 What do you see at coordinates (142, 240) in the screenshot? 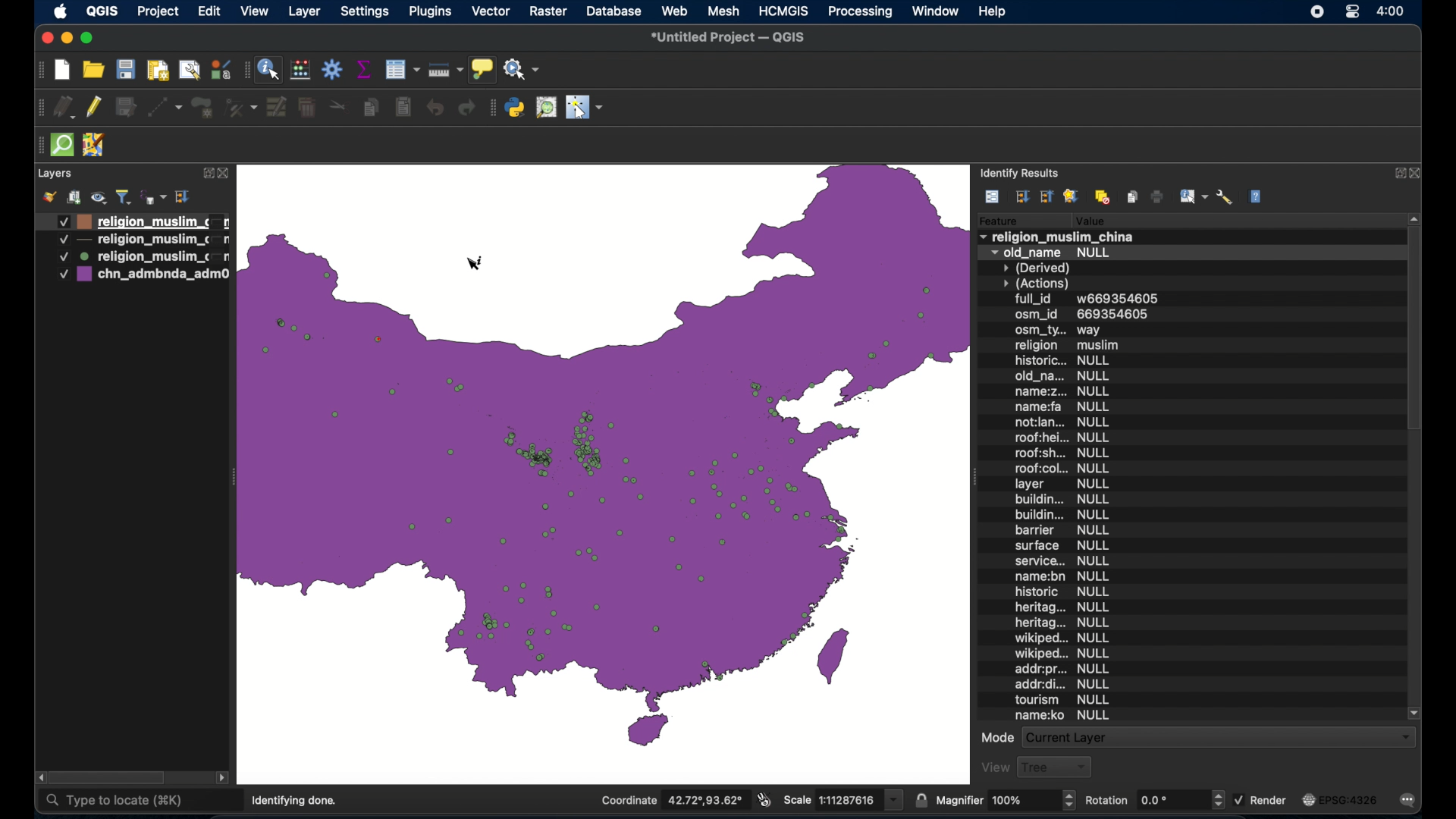
I see `layer 2` at bounding box center [142, 240].